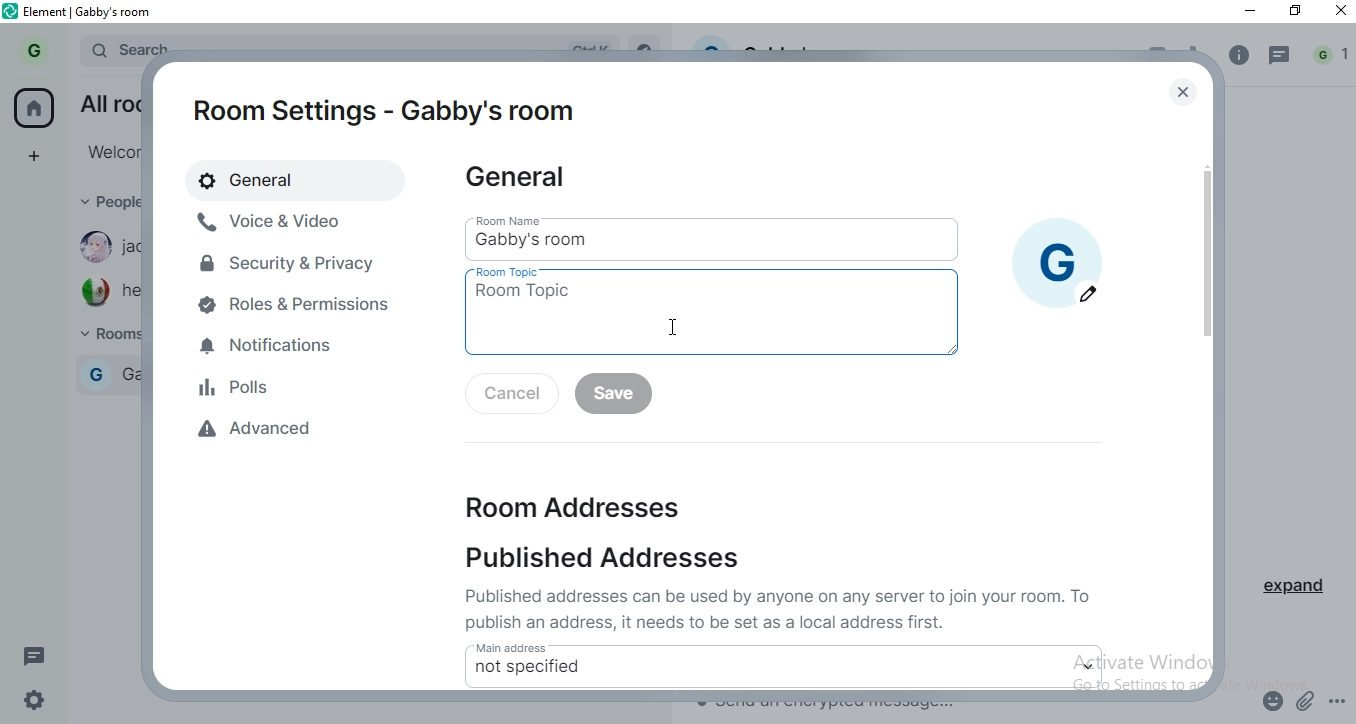 Image resolution: width=1356 pixels, height=724 pixels. I want to click on attachment, so click(1307, 700).